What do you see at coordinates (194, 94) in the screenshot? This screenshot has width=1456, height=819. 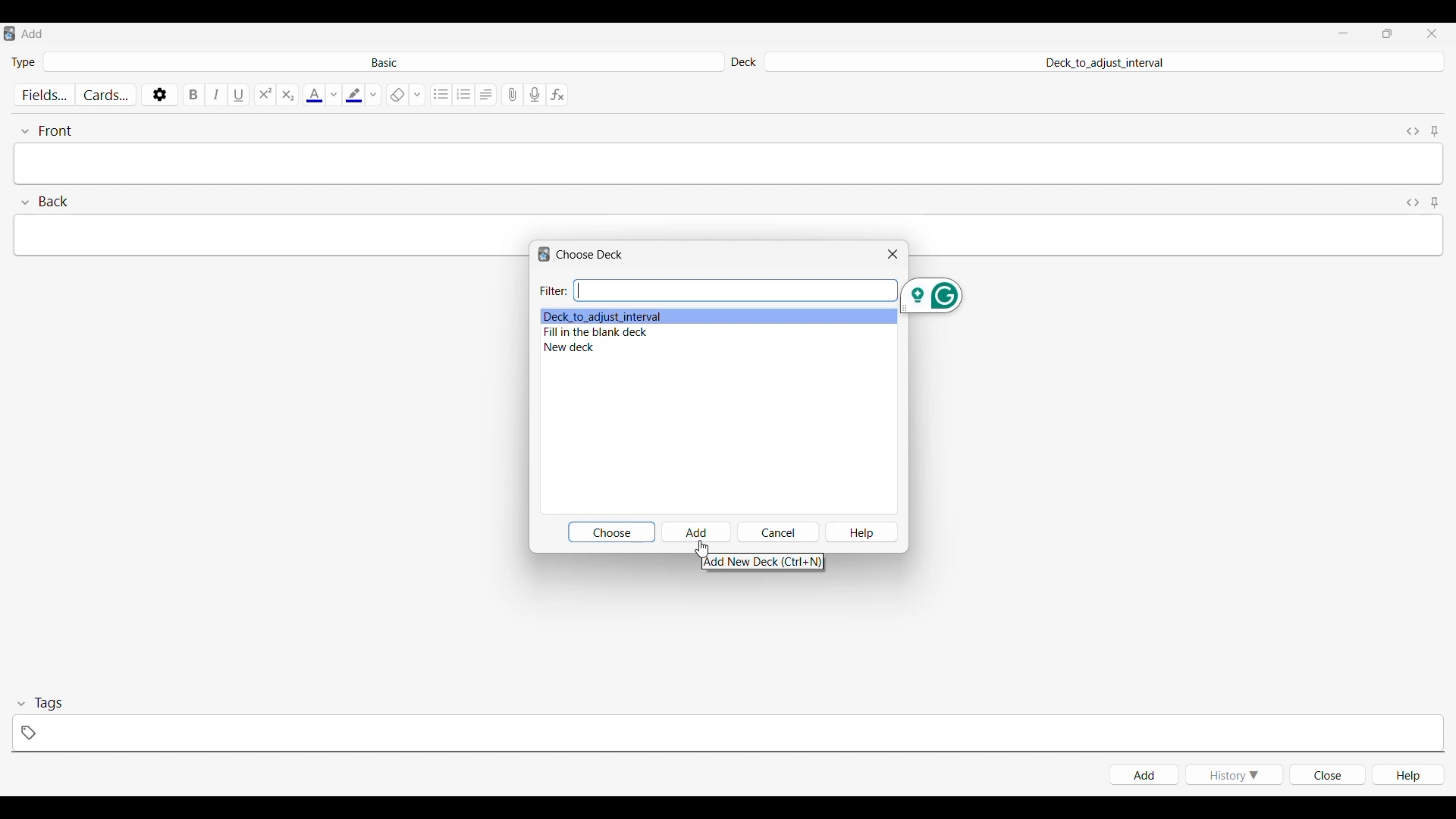 I see `Bold` at bounding box center [194, 94].